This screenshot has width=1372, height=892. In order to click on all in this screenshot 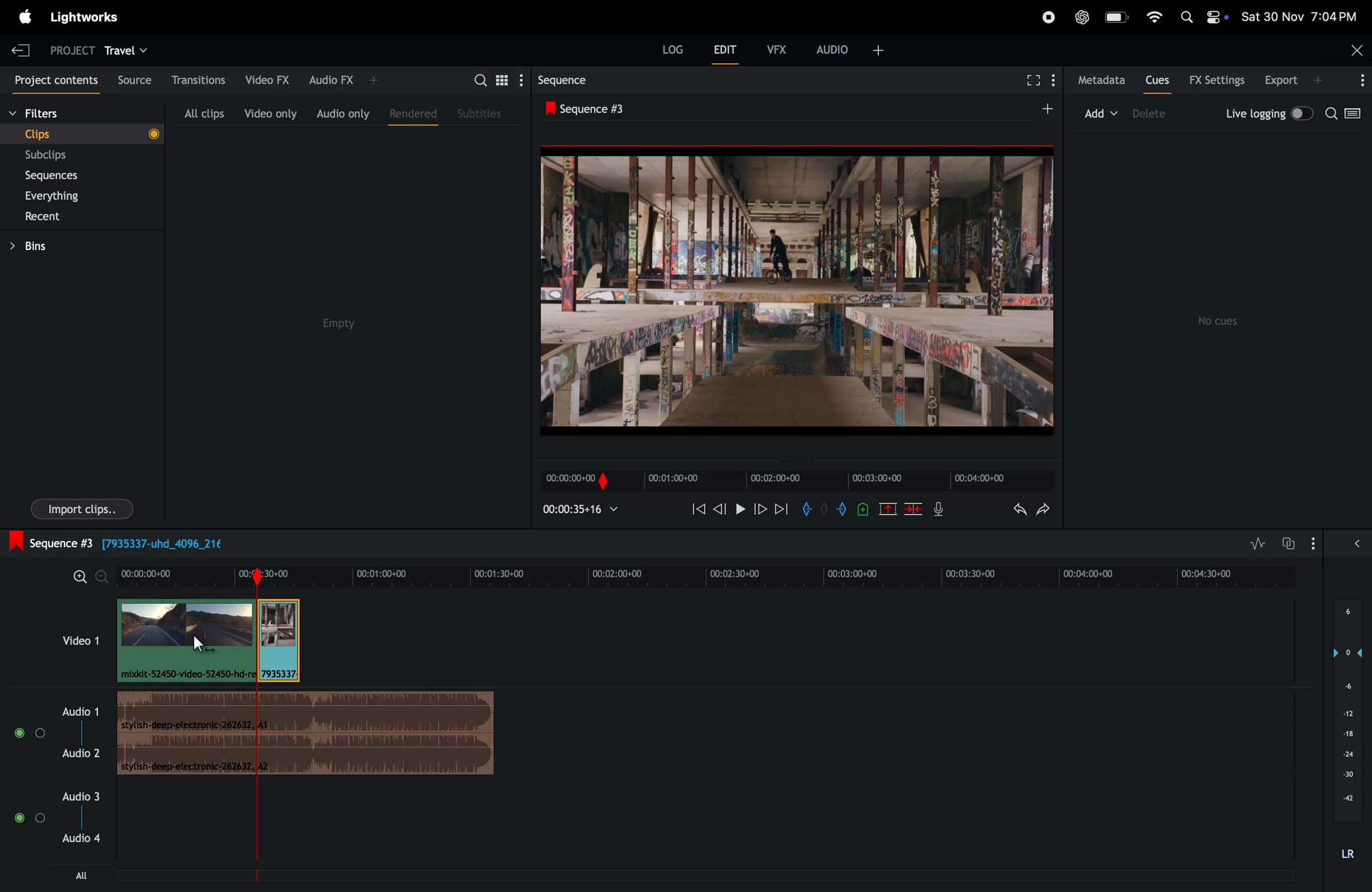, I will do `click(81, 879)`.